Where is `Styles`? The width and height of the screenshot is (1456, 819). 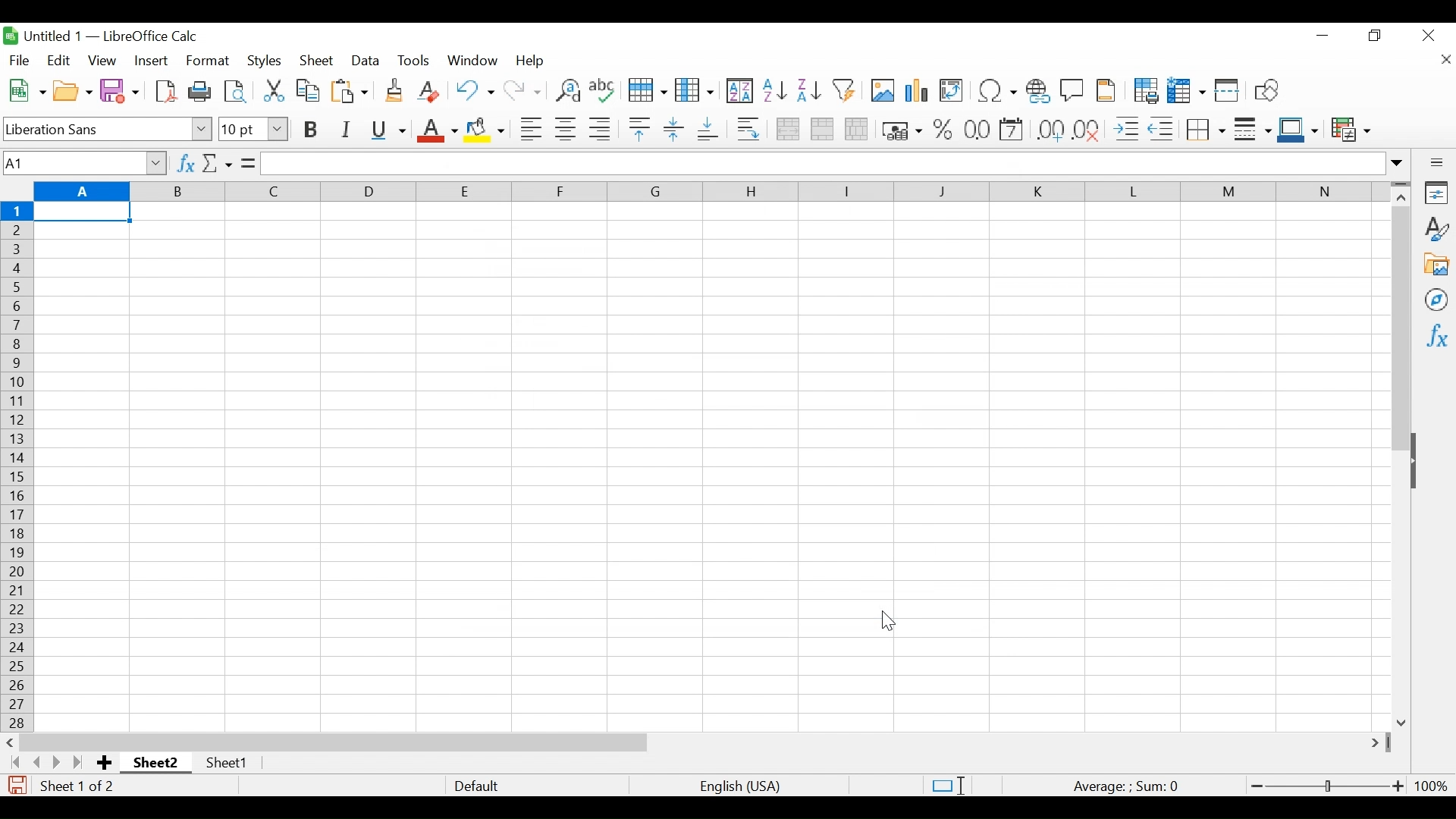
Styles is located at coordinates (262, 61).